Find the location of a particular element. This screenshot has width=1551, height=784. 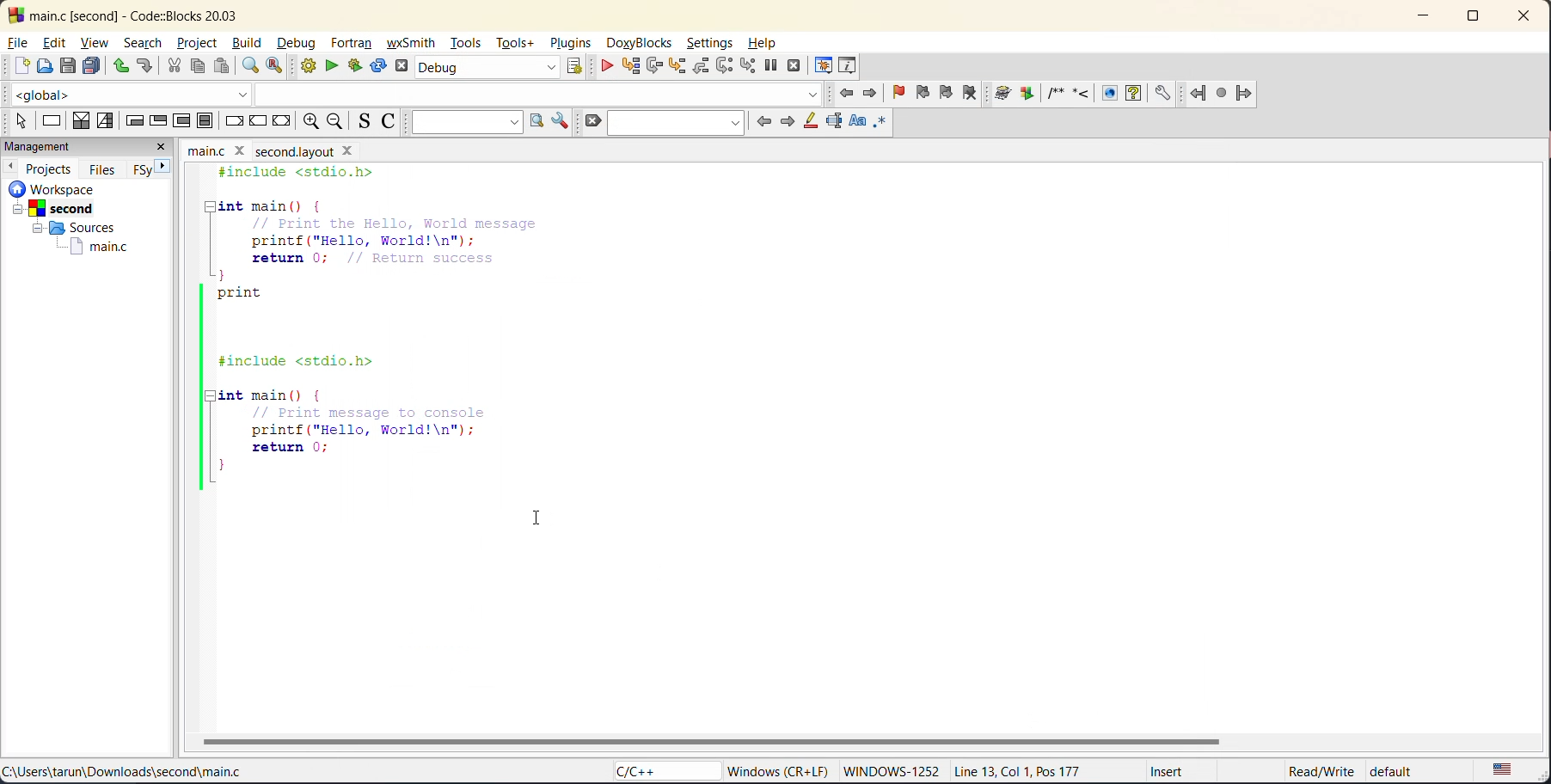

settings is located at coordinates (711, 45).